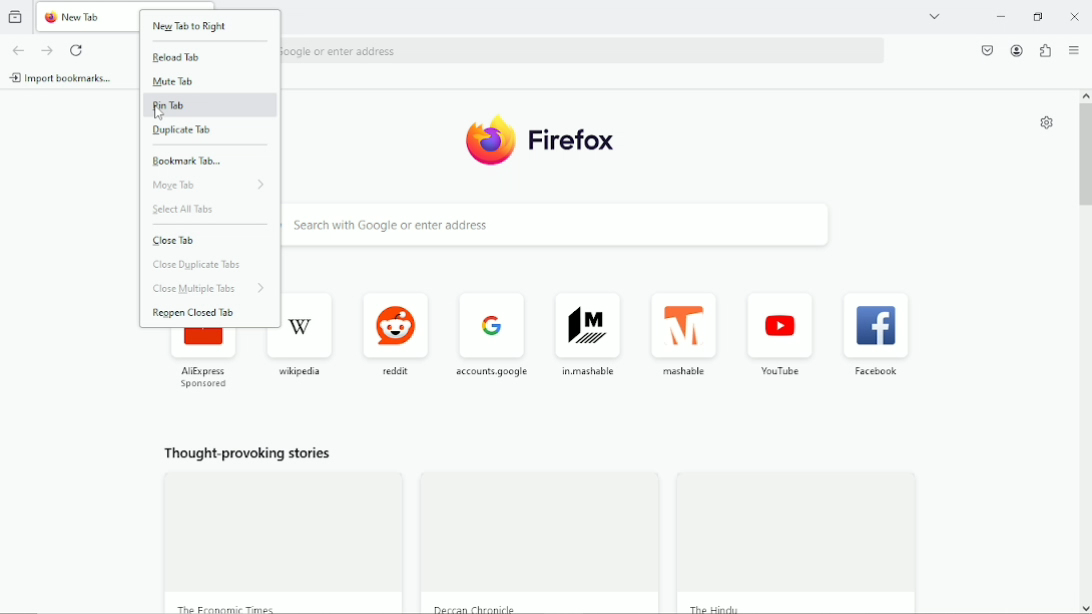 This screenshot has width=1092, height=614. I want to click on in.mashable, so click(591, 334).